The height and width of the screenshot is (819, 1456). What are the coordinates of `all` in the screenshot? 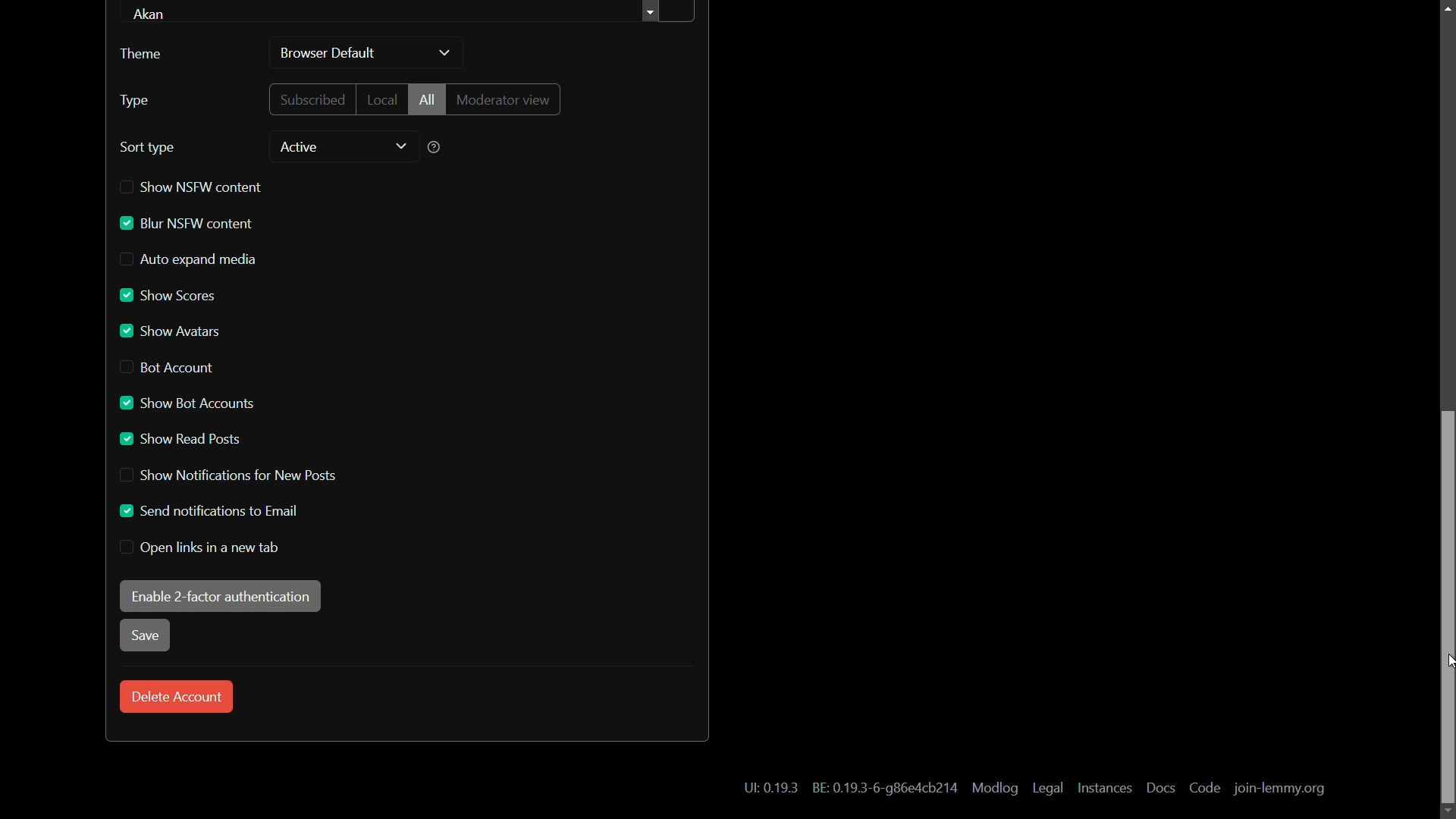 It's located at (427, 99).